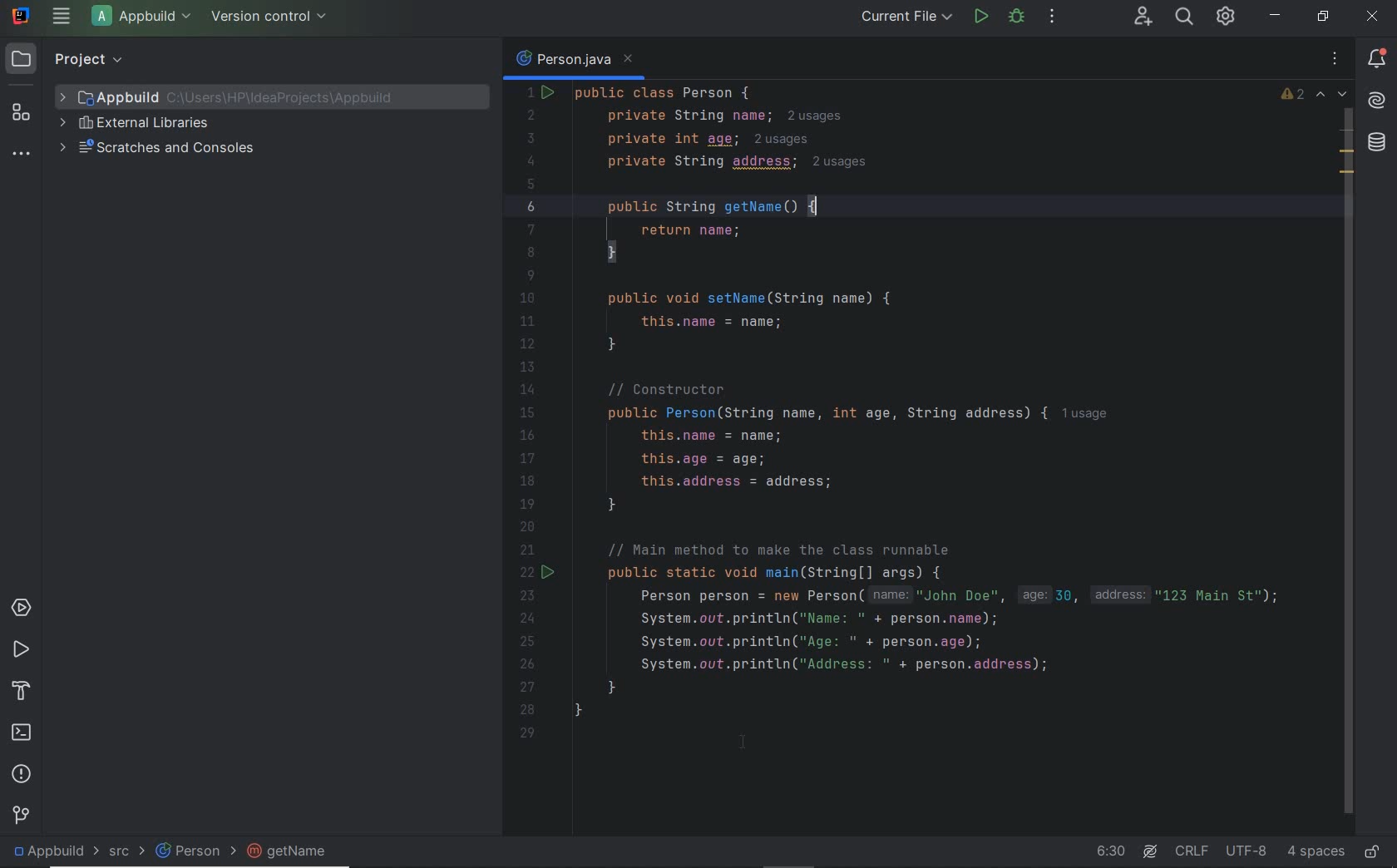 The height and width of the screenshot is (868, 1397). I want to click on codes, so click(931, 496).